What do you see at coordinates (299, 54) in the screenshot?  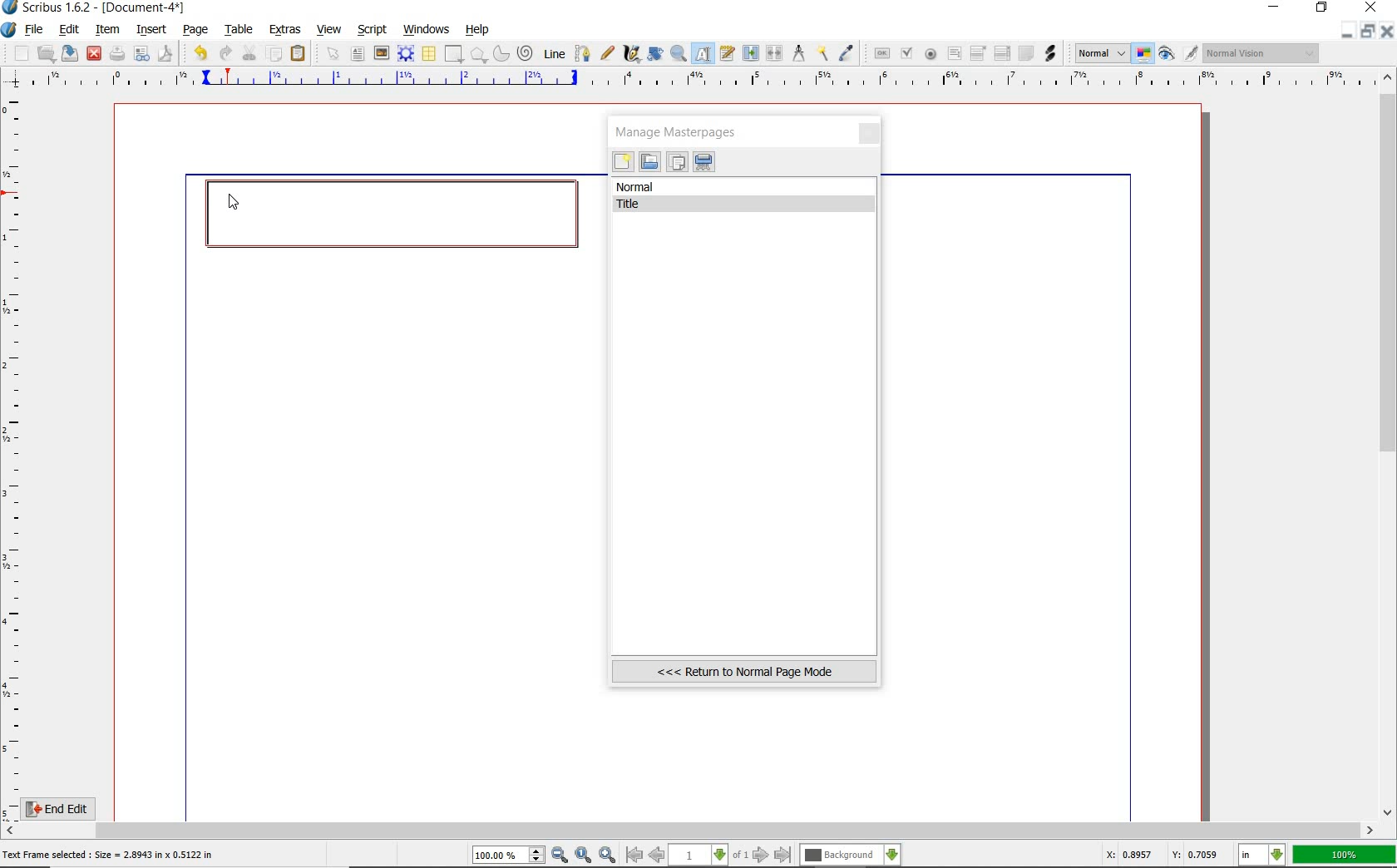 I see `paste` at bounding box center [299, 54].